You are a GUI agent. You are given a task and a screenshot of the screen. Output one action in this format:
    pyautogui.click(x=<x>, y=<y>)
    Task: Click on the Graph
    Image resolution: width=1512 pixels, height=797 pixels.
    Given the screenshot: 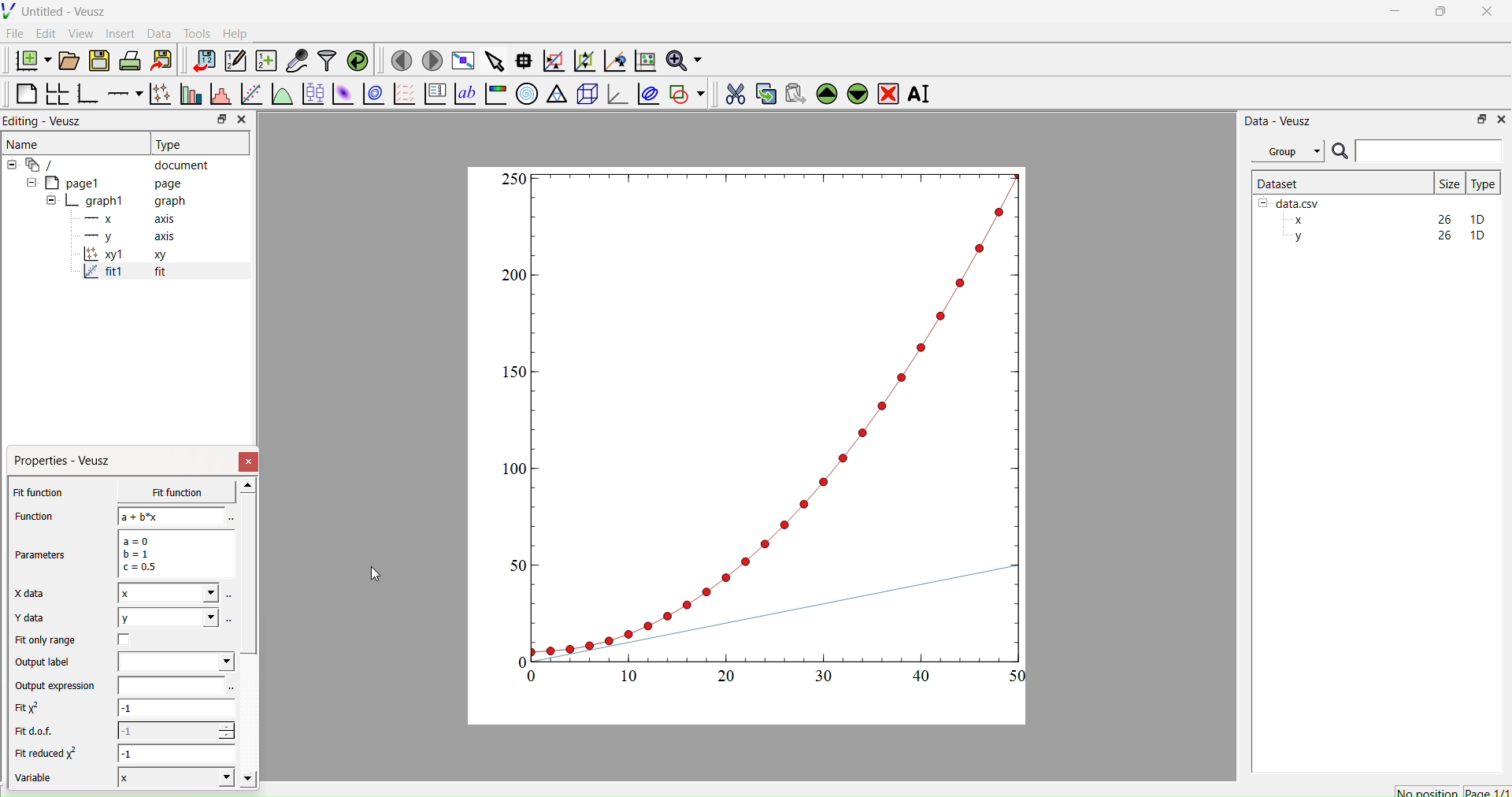 What is the action you would take?
    pyautogui.click(x=766, y=427)
    